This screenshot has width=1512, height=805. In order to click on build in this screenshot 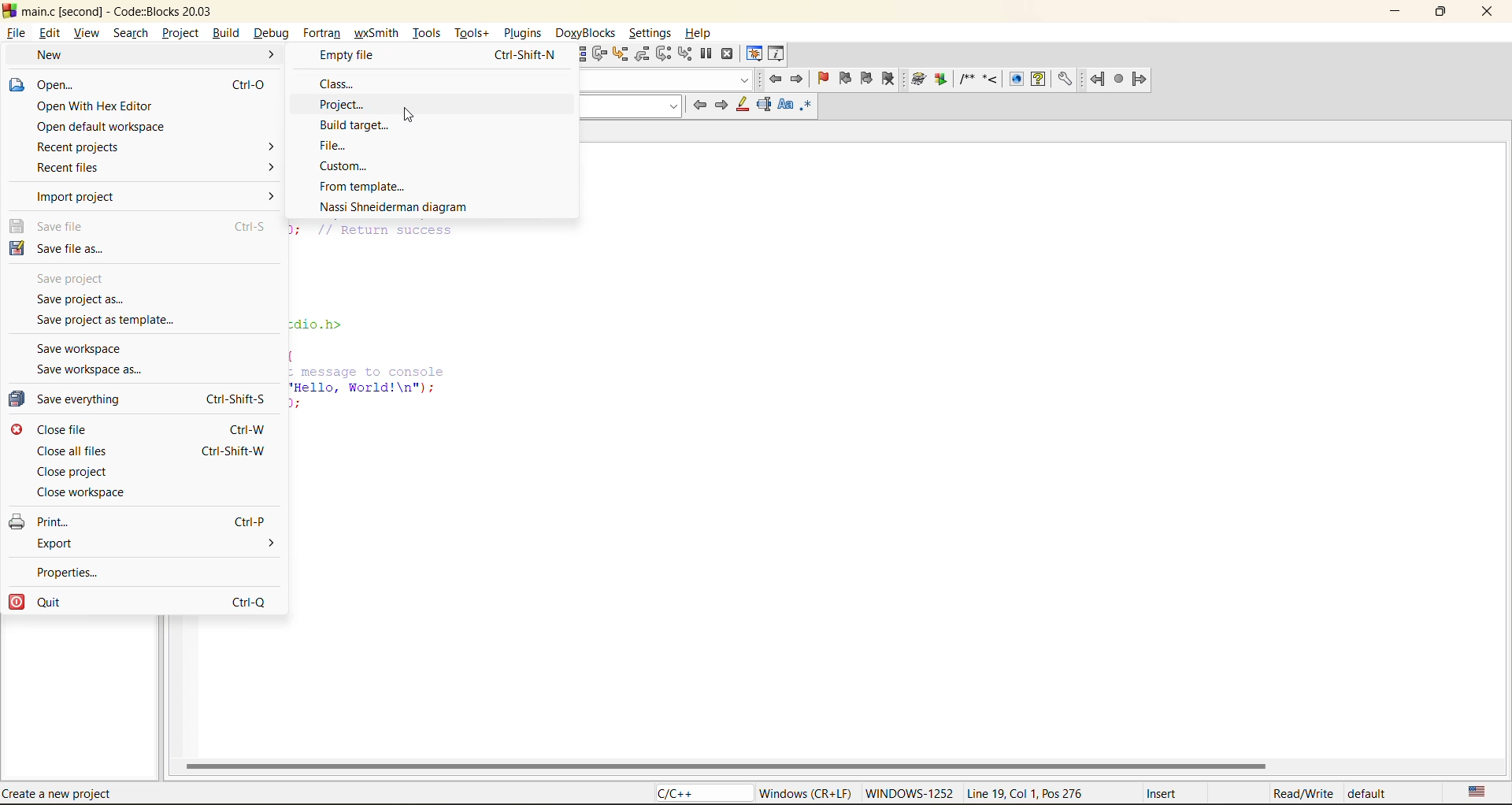, I will do `click(281, 54)`.